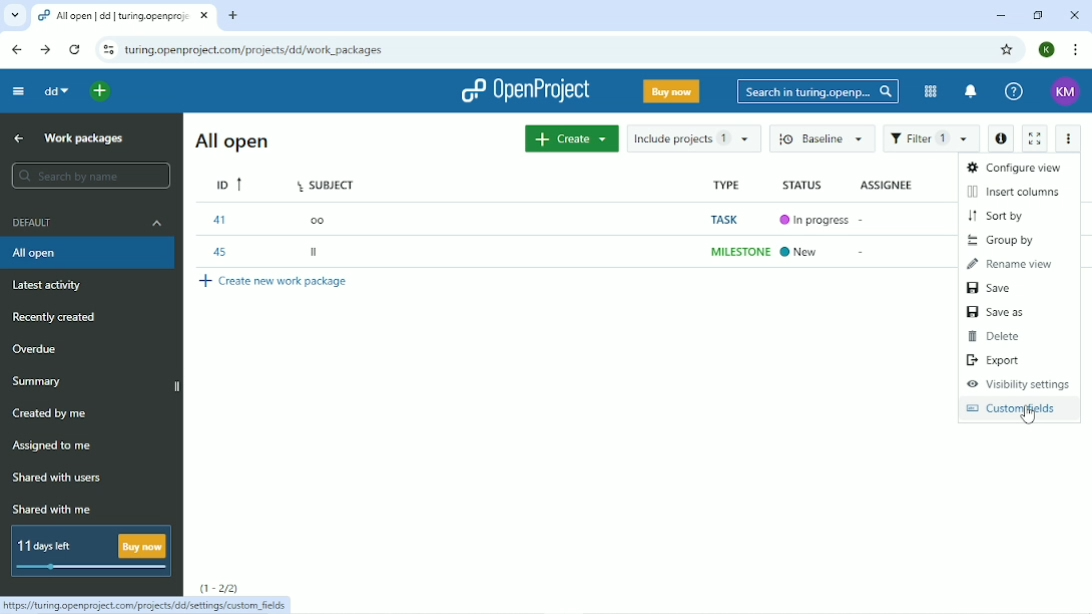 This screenshot has height=614, width=1092. I want to click on Custom fields, so click(1016, 412).